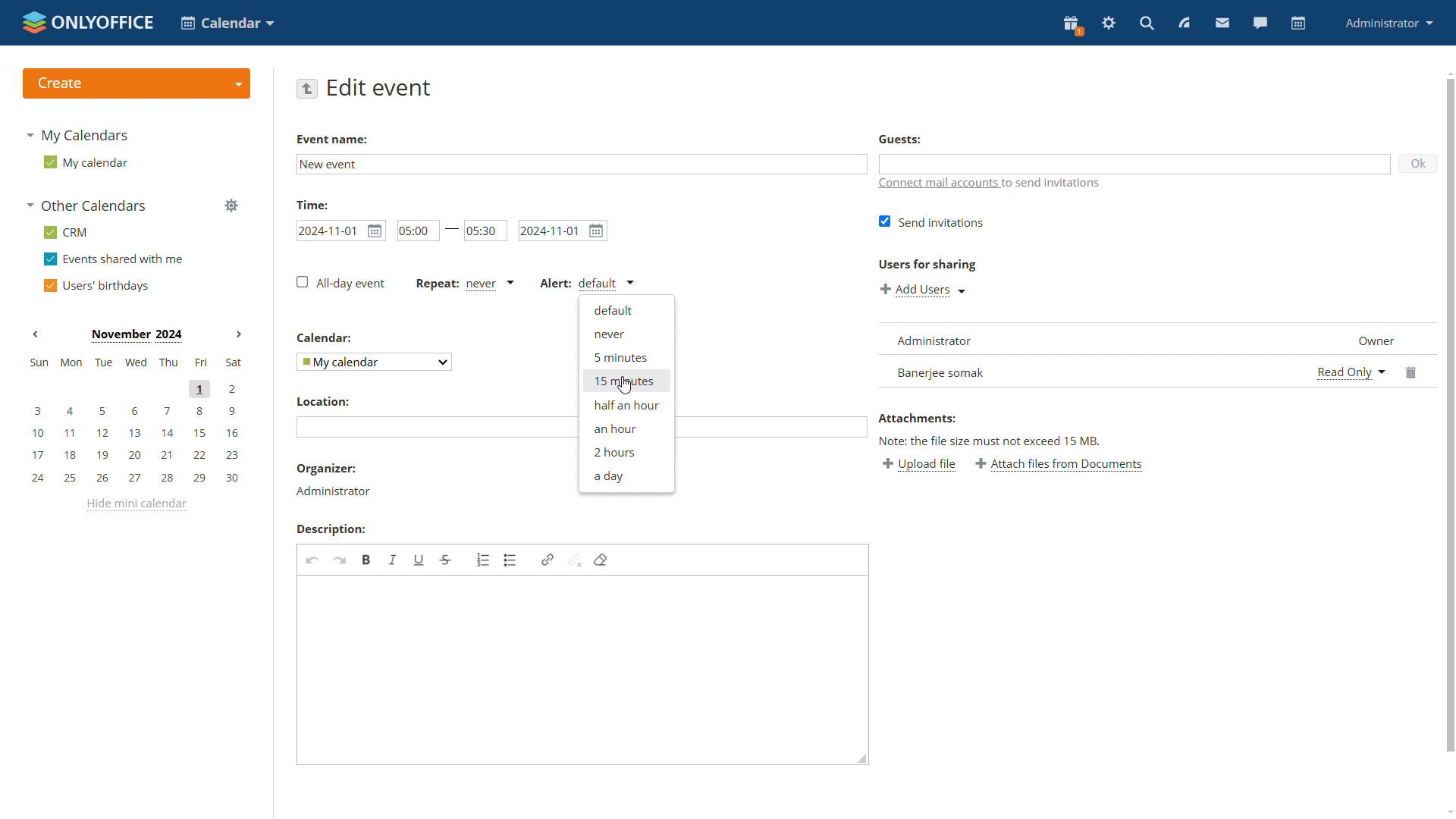  Describe the element at coordinates (417, 231) in the screenshot. I see `start time` at that location.